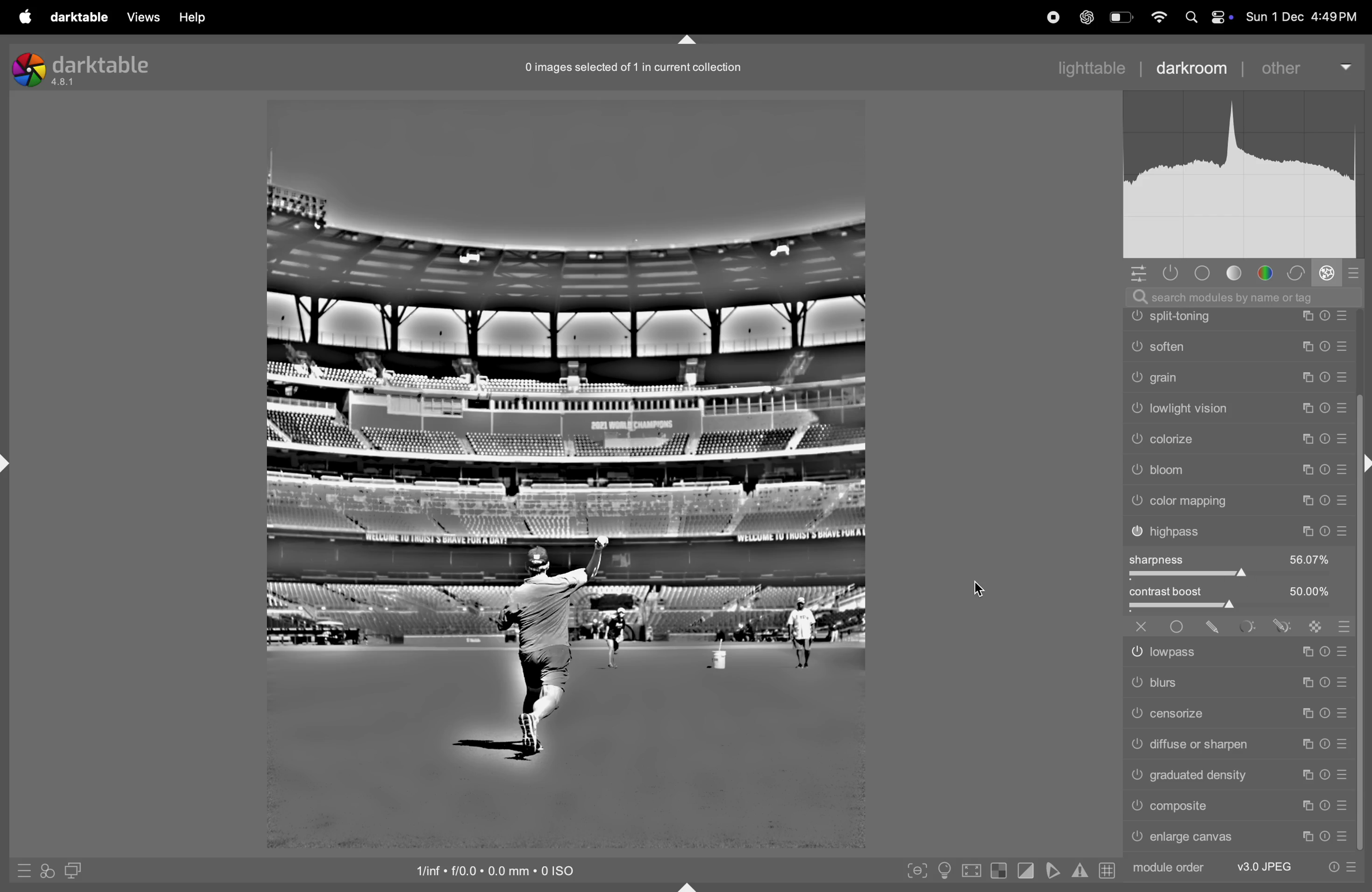 This screenshot has height=892, width=1372. What do you see at coordinates (1342, 867) in the screenshot?
I see `preset options` at bounding box center [1342, 867].